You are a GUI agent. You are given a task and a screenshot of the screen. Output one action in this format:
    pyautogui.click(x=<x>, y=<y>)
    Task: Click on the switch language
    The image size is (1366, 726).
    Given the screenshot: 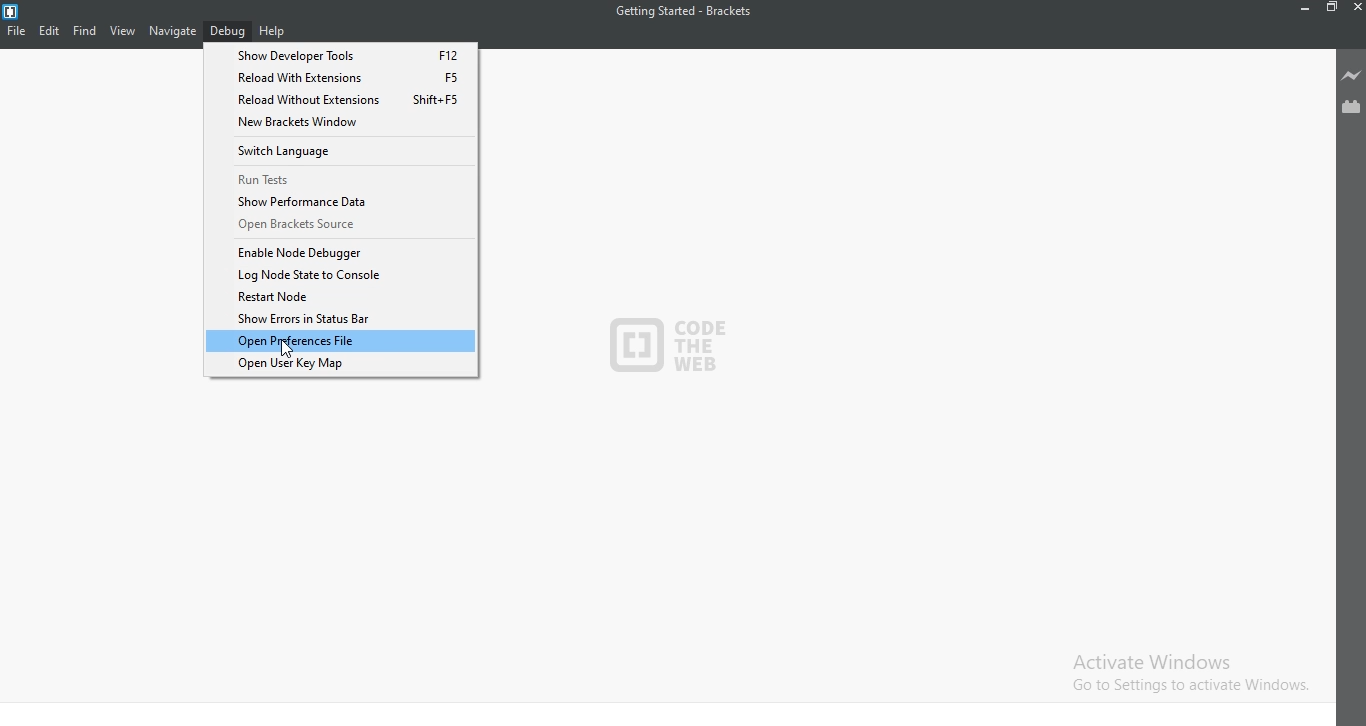 What is the action you would take?
    pyautogui.click(x=341, y=151)
    